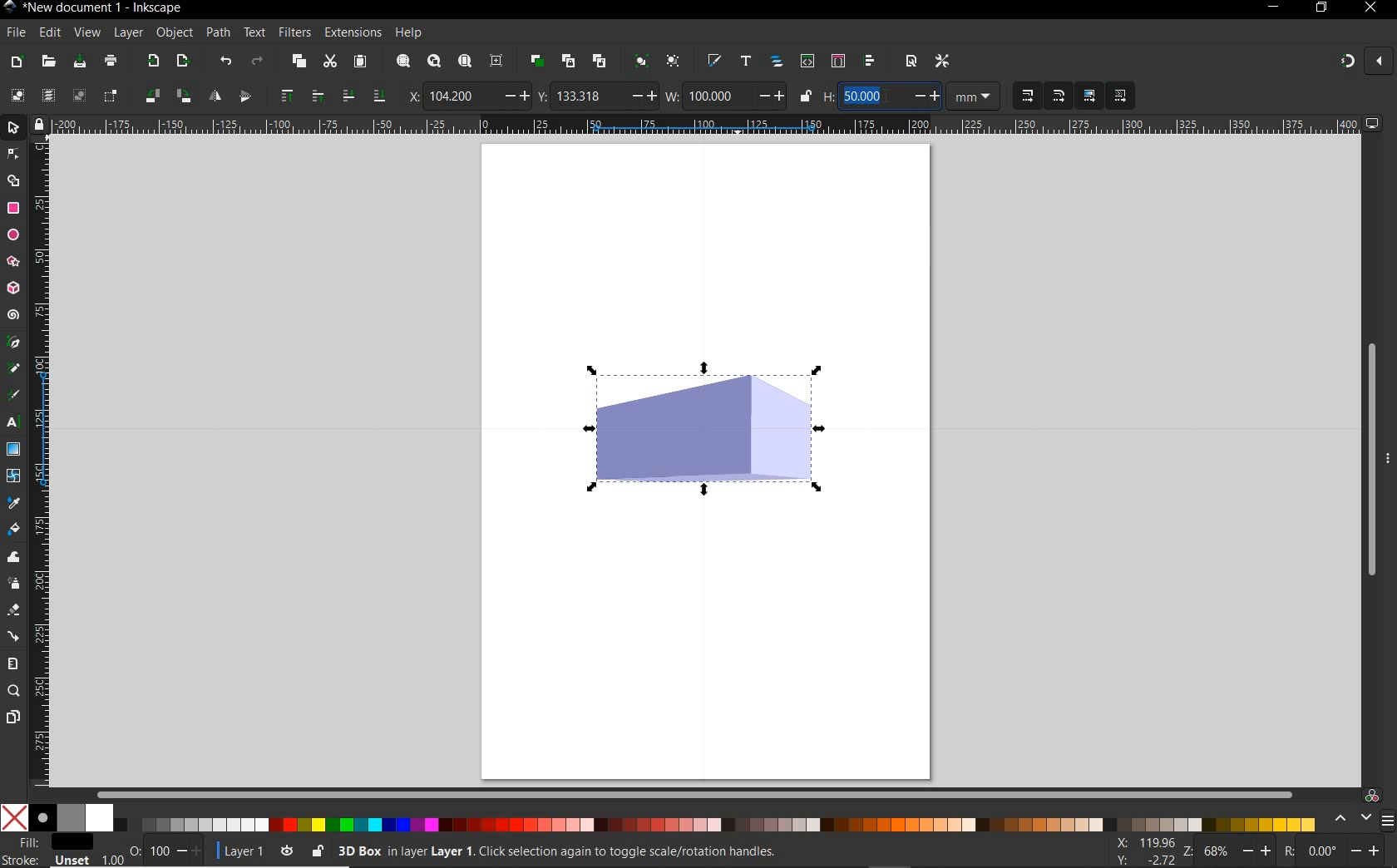 The image size is (1397, 868). What do you see at coordinates (410, 32) in the screenshot?
I see `help` at bounding box center [410, 32].